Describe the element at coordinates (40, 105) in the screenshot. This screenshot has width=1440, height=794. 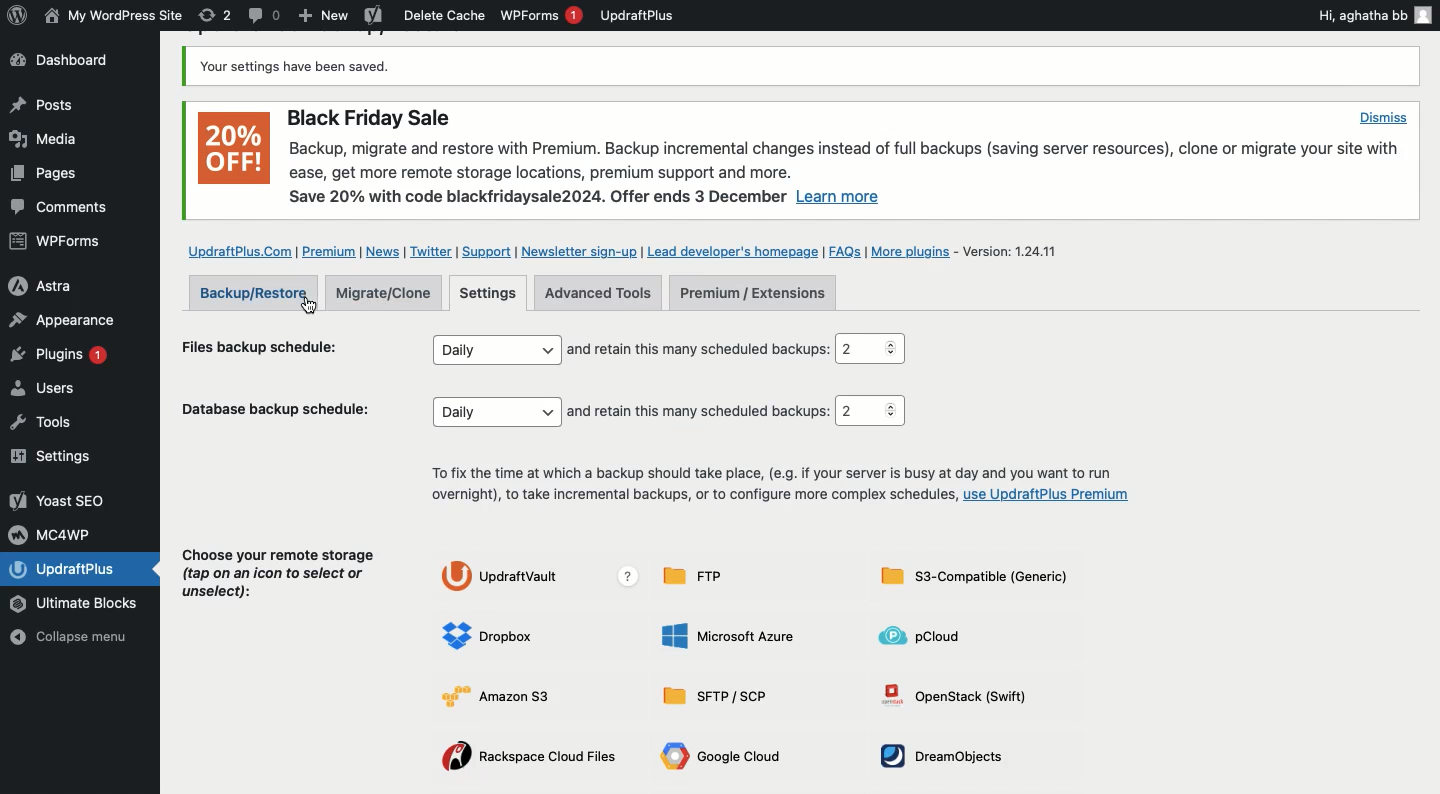
I see `Posts` at that location.